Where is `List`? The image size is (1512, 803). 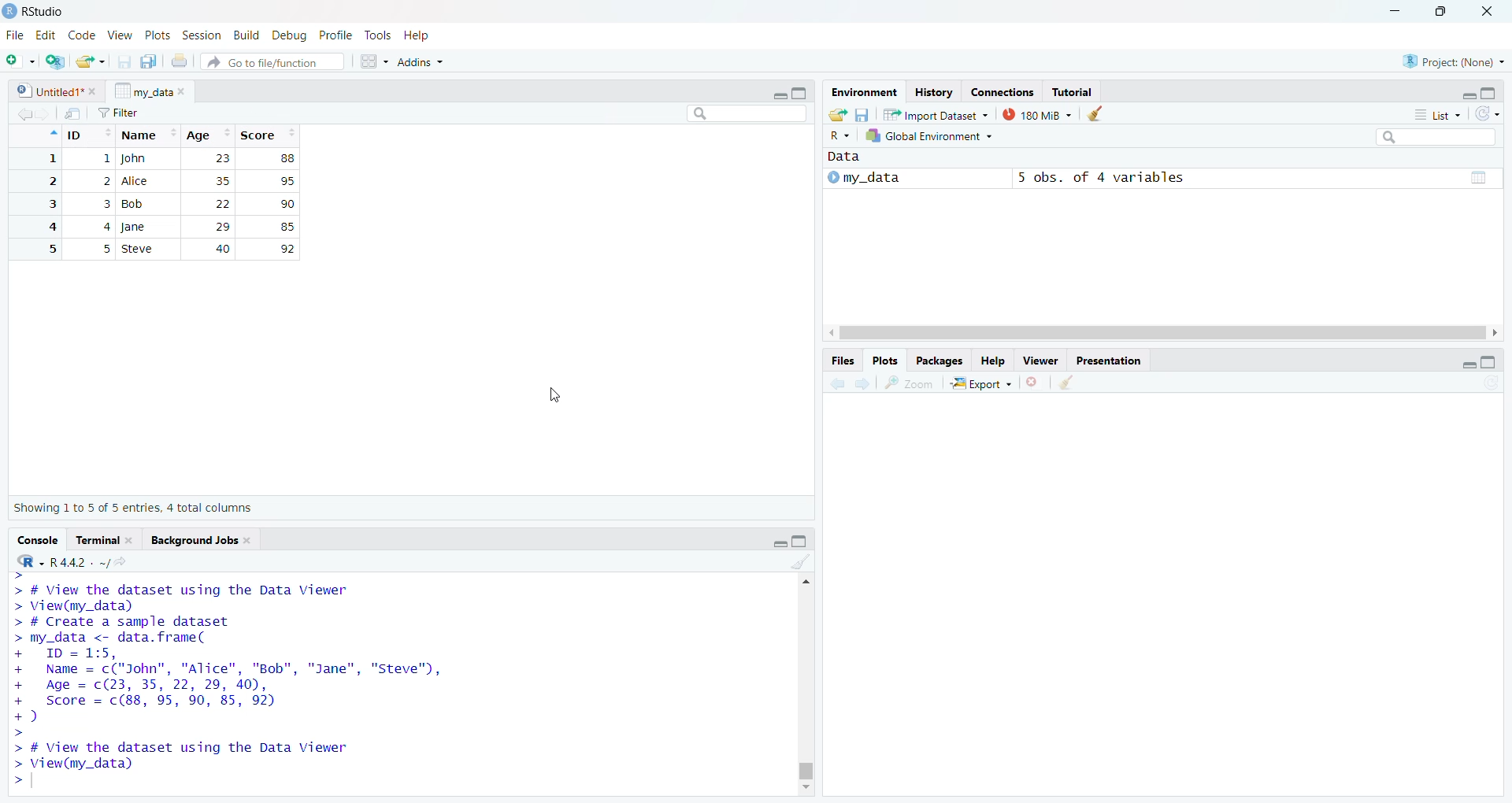 List is located at coordinates (1440, 116).